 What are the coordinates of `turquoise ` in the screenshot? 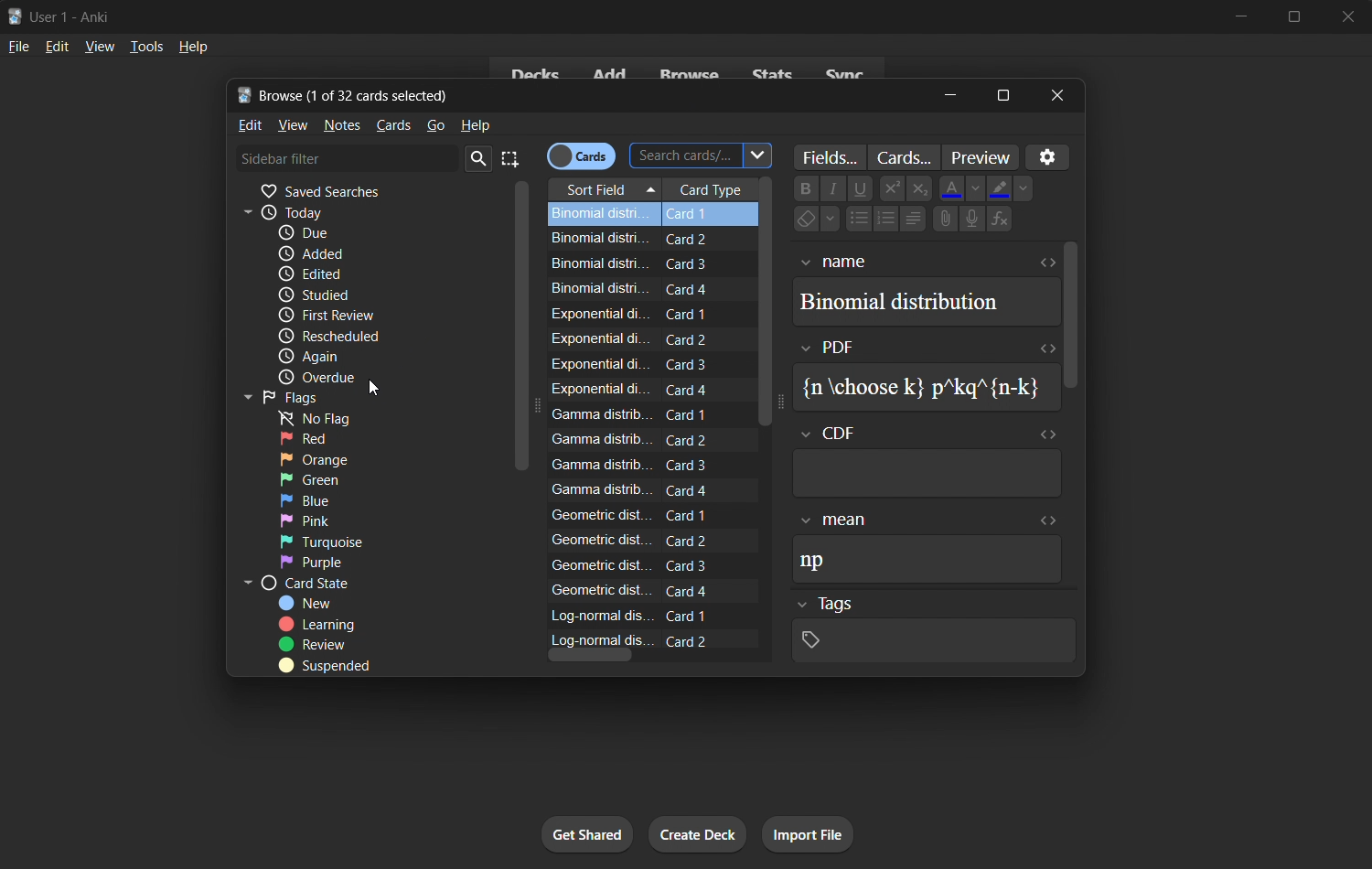 It's located at (331, 542).